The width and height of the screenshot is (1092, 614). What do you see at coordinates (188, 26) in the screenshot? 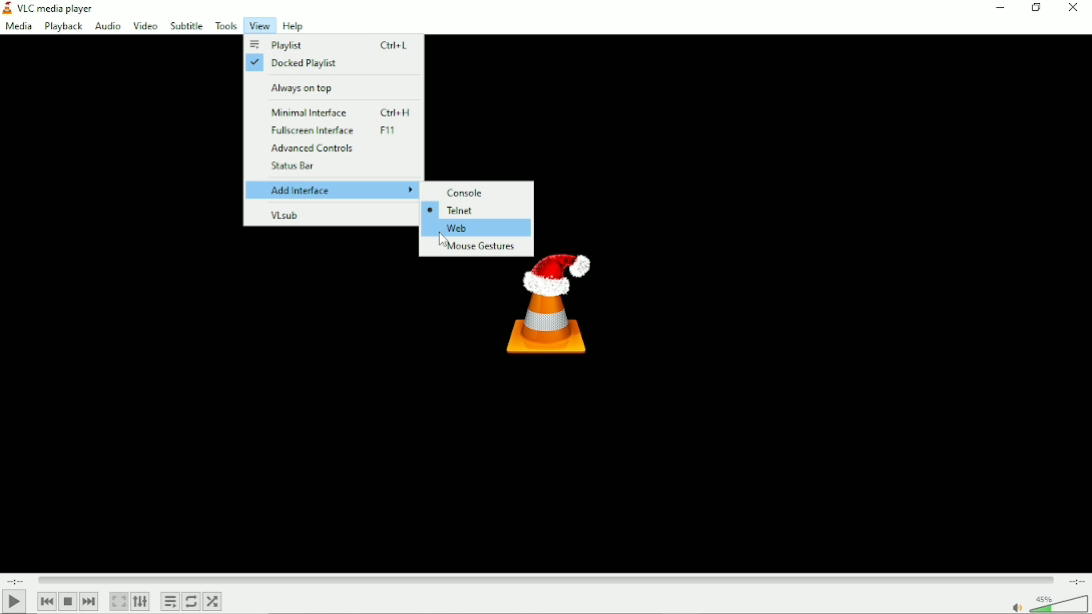
I see `Subtitle` at bounding box center [188, 26].